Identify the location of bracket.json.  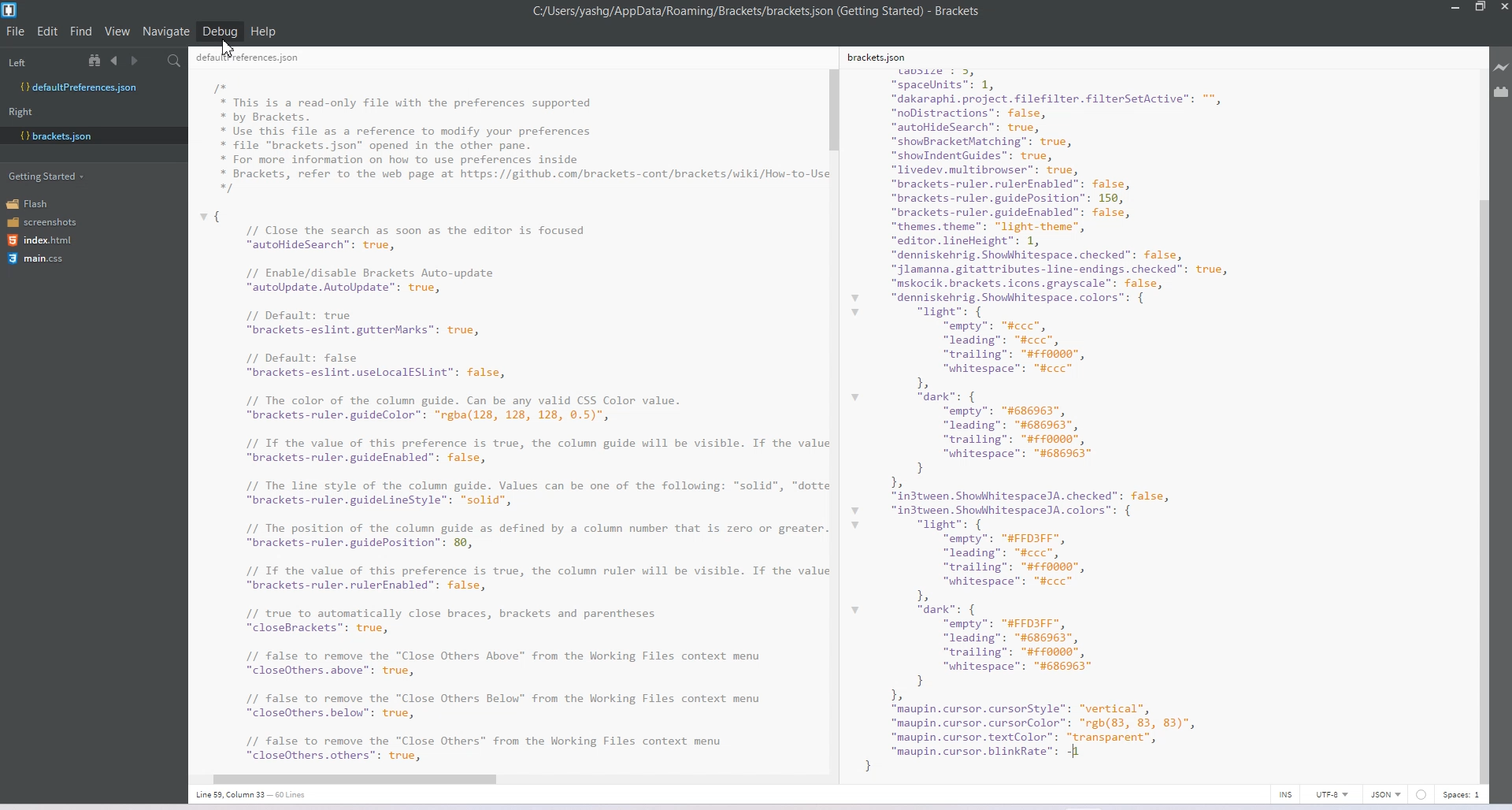
(90, 135).